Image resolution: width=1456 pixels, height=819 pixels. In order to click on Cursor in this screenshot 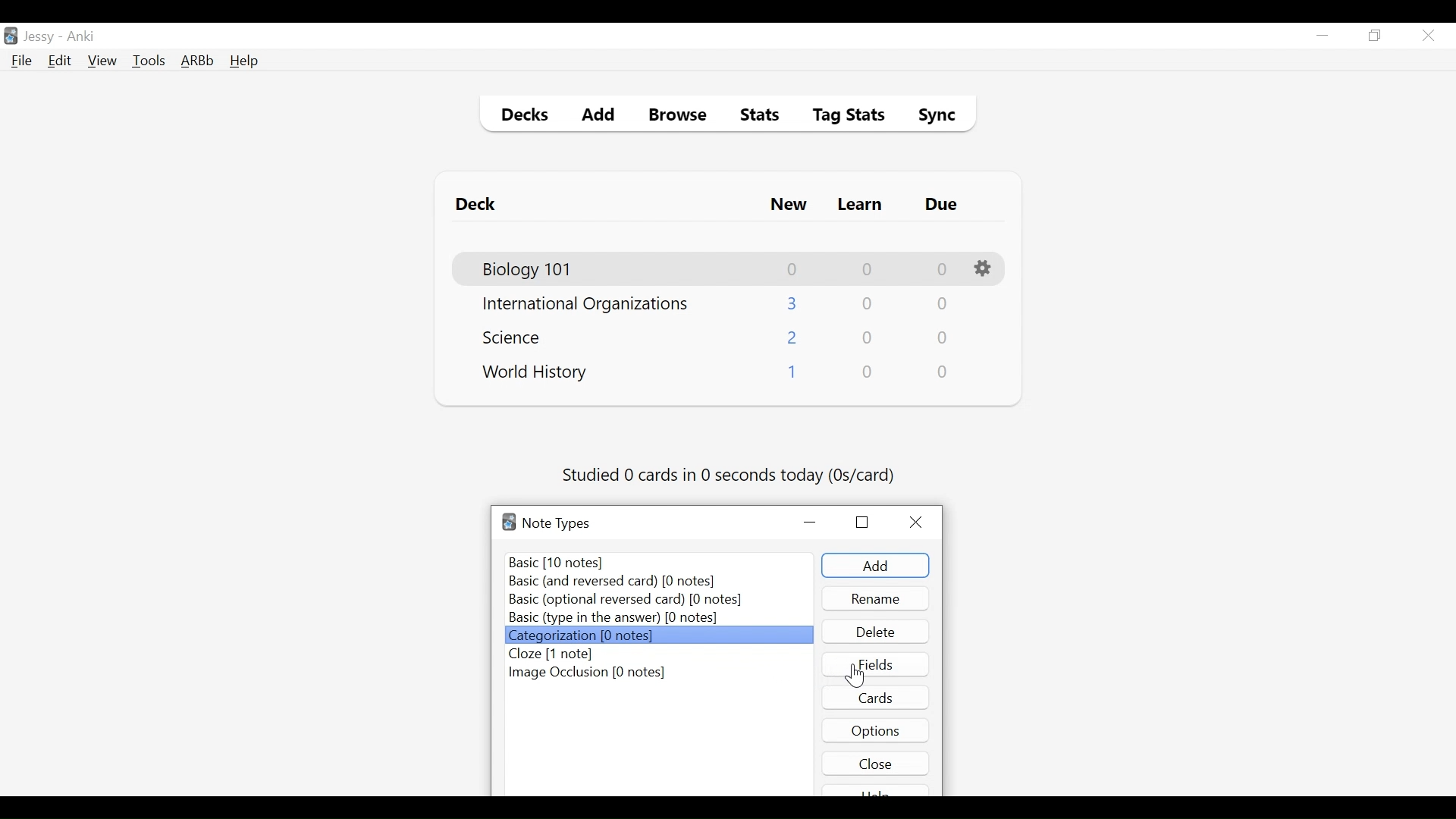, I will do `click(854, 675)`.